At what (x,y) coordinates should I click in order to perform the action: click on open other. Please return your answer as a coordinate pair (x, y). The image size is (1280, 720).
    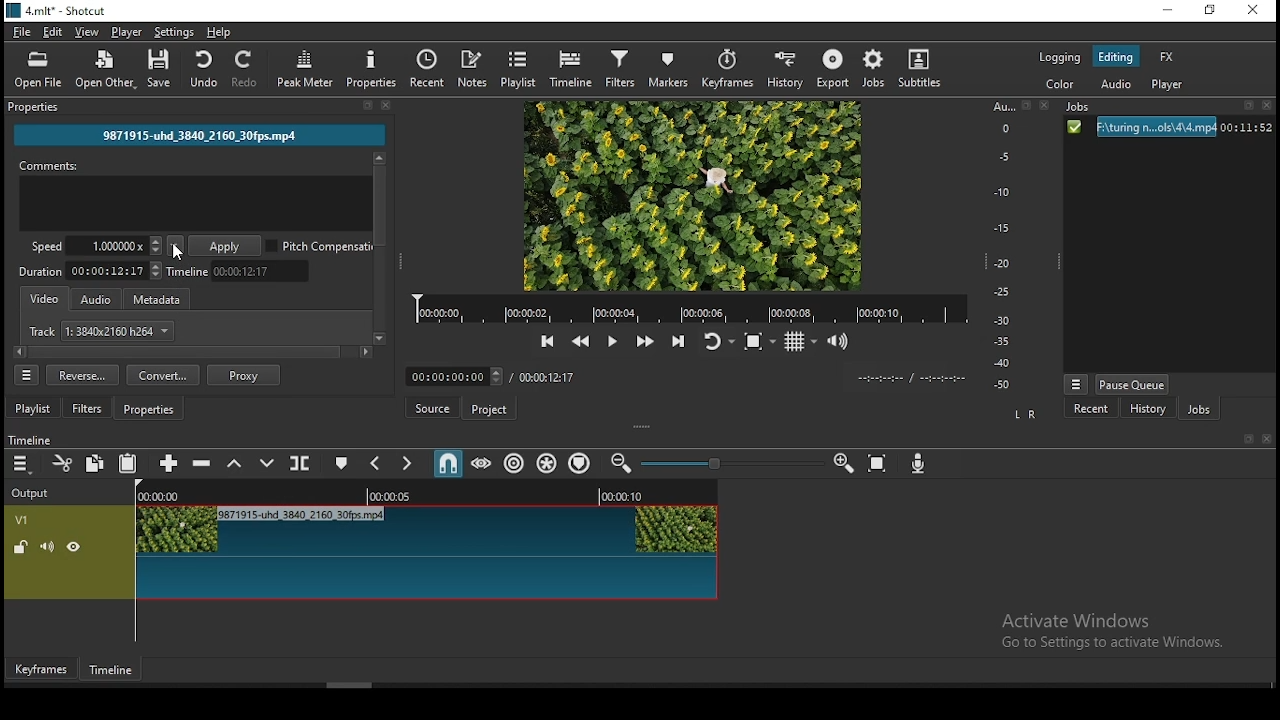
    Looking at the image, I should click on (105, 72).